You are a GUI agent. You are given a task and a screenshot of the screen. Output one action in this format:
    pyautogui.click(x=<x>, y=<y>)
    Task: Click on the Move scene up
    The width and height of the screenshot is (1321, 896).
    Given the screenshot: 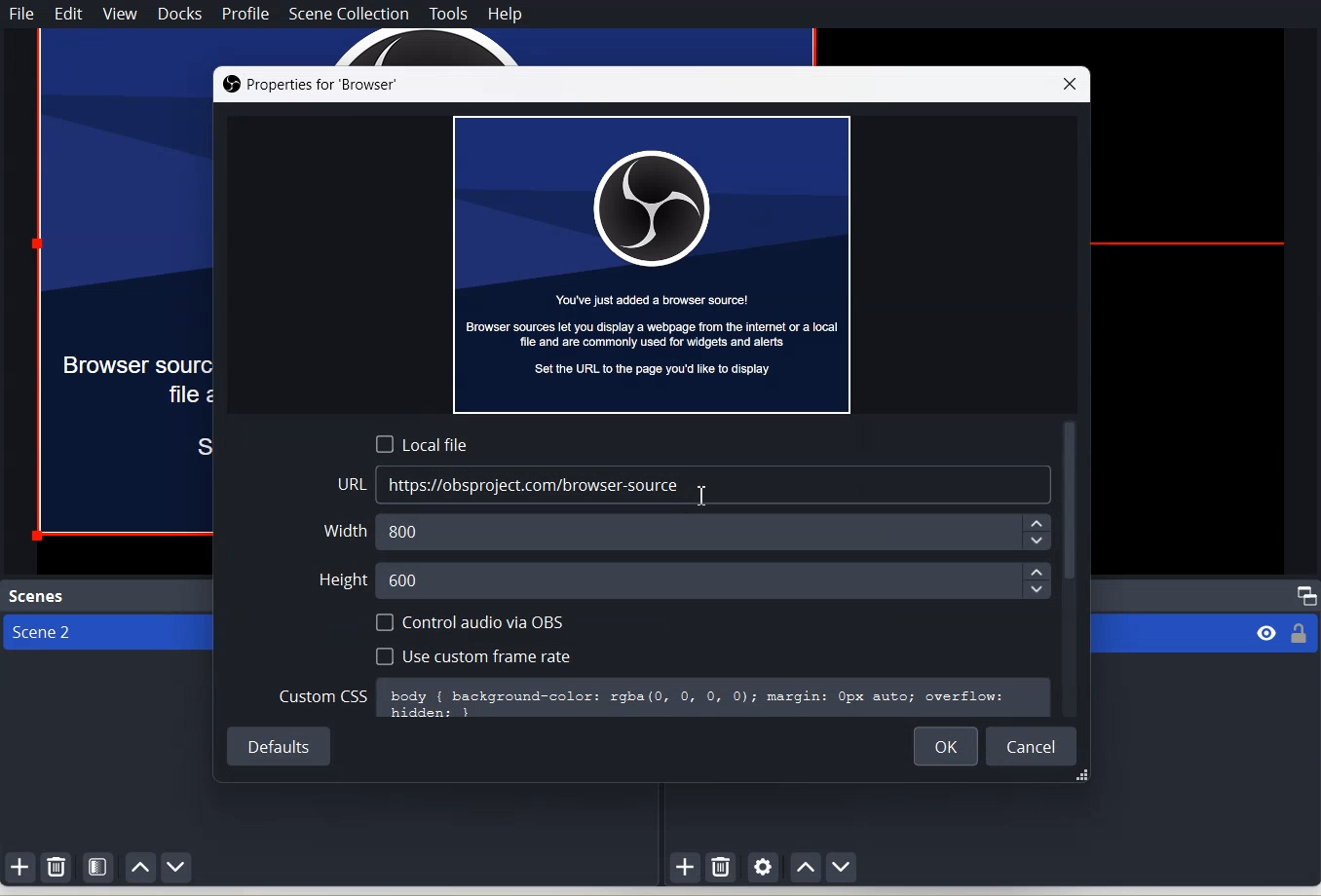 What is the action you would take?
    pyautogui.click(x=142, y=867)
    